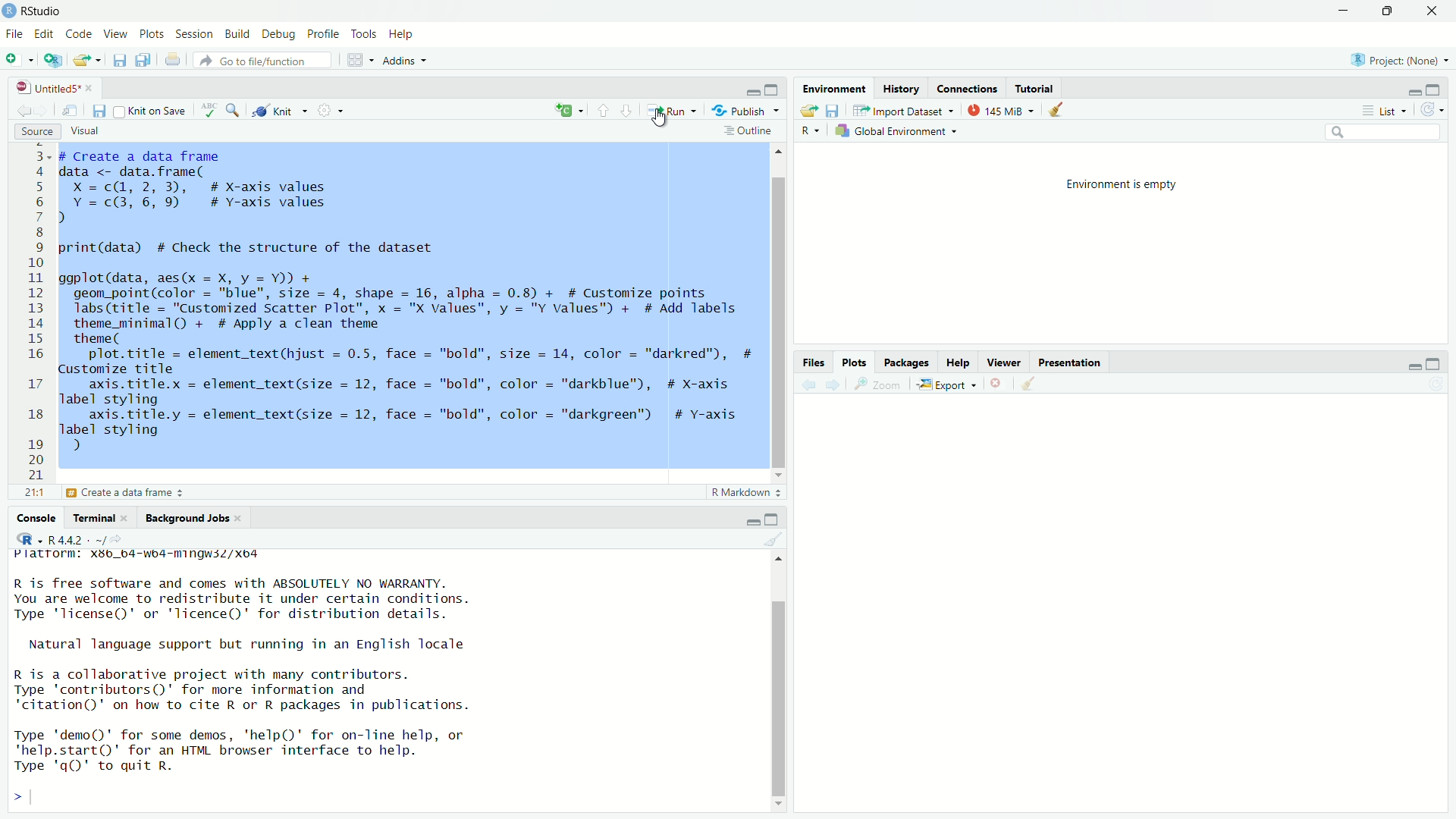  Describe the element at coordinates (778, 312) in the screenshot. I see `Scrollbar ` at that location.